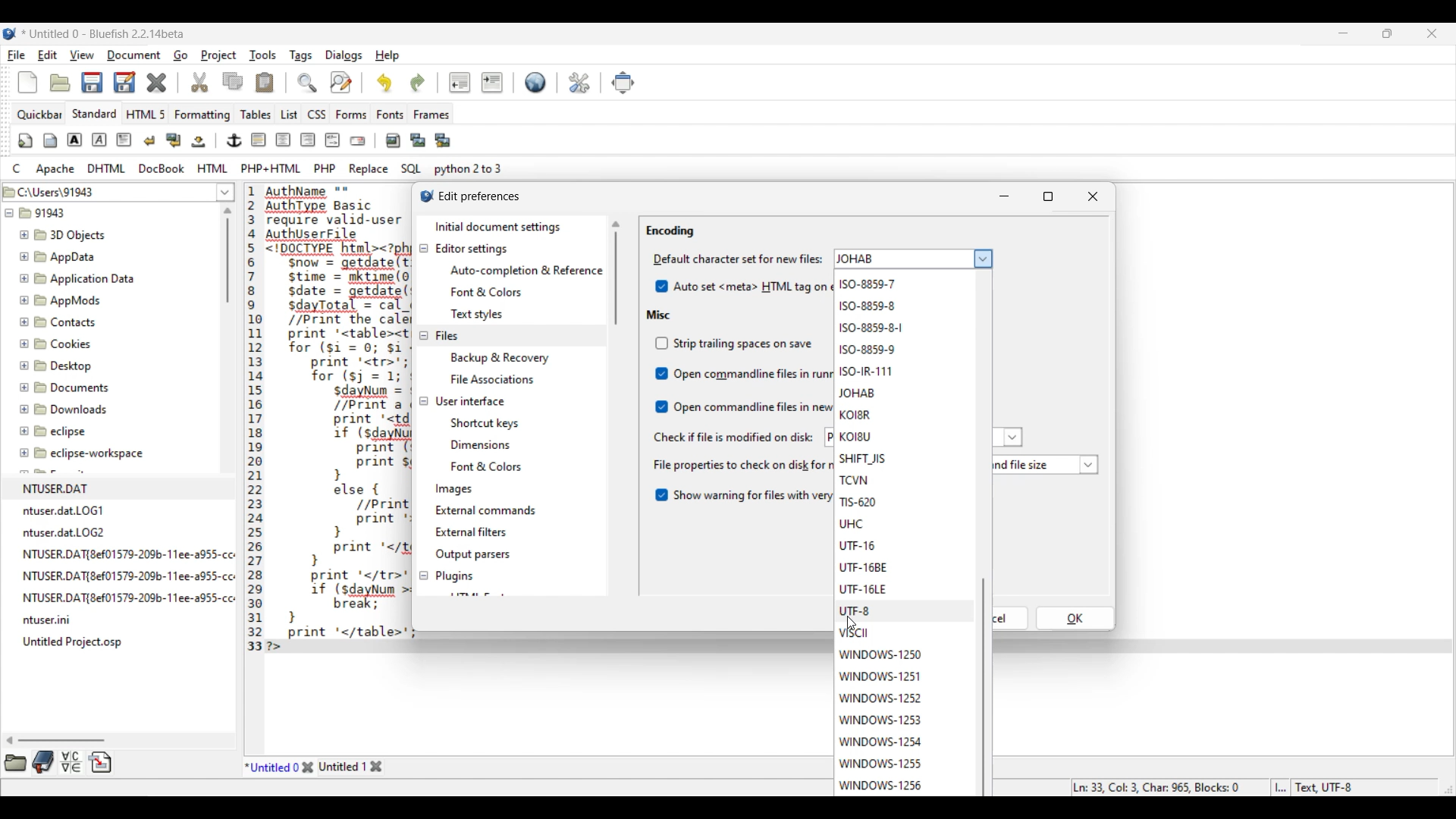 Image resolution: width=1456 pixels, height=819 pixels. Describe the element at coordinates (109, 82) in the screenshot. I see `Save options` at that location.